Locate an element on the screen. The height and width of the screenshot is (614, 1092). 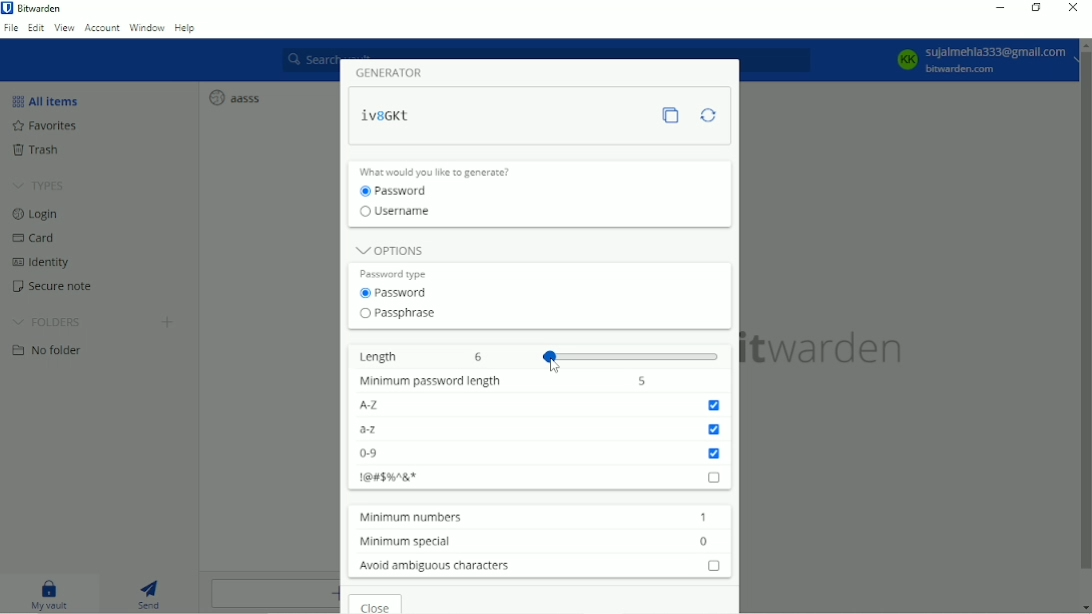
Copy password is located at coordinates (676, 117).